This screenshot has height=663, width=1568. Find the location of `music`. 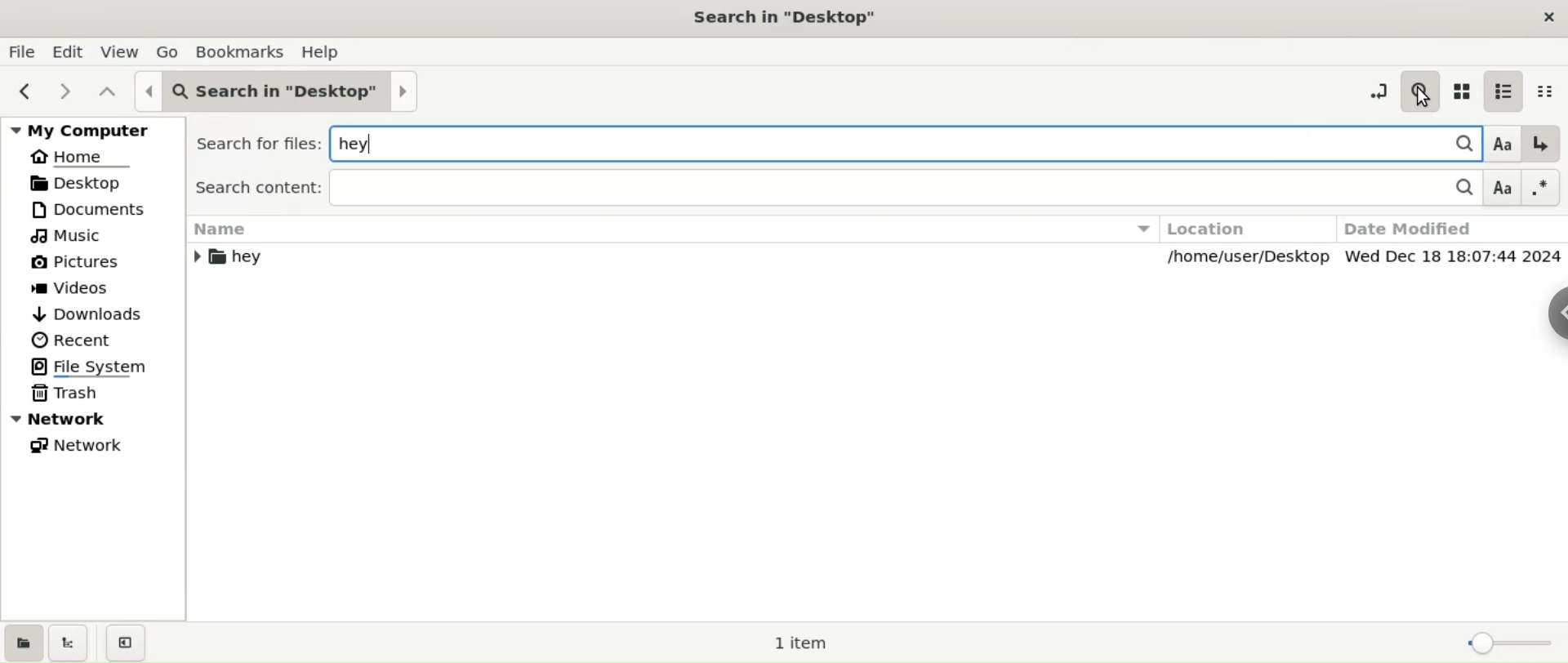

music is located at coordinates (93, 234).